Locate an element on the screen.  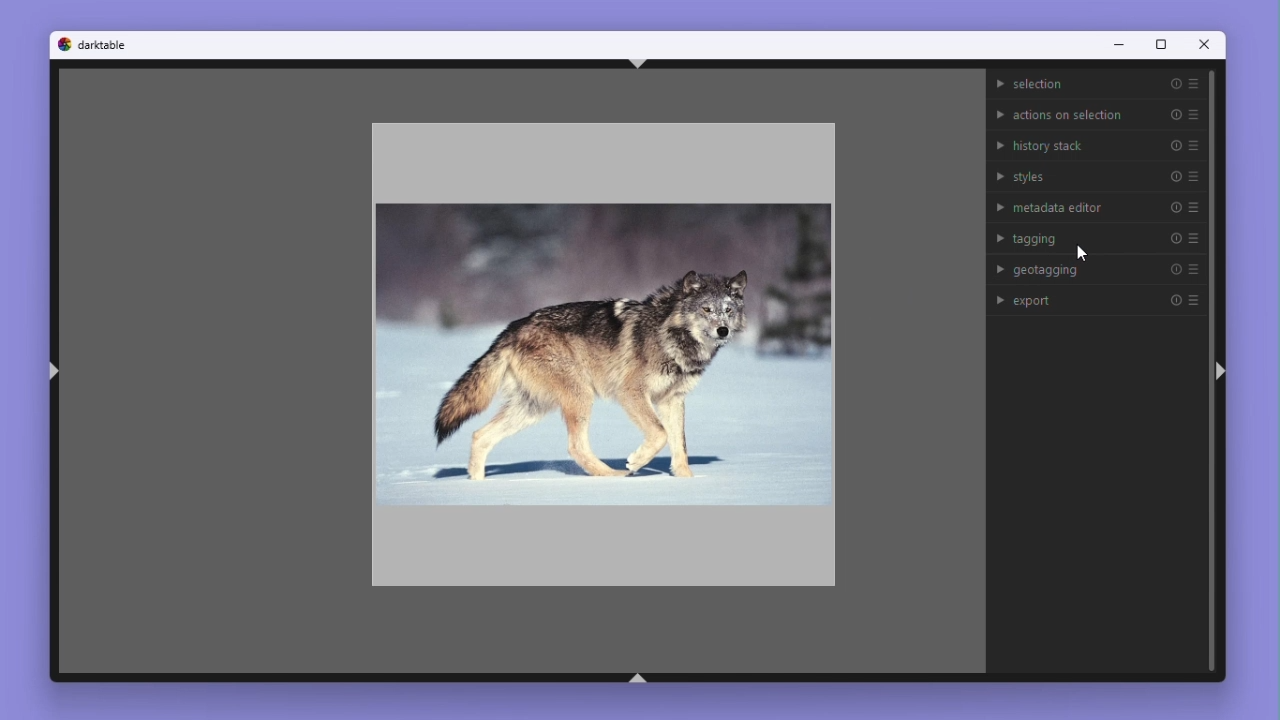
Styles is located at coordinates (1098, 176).